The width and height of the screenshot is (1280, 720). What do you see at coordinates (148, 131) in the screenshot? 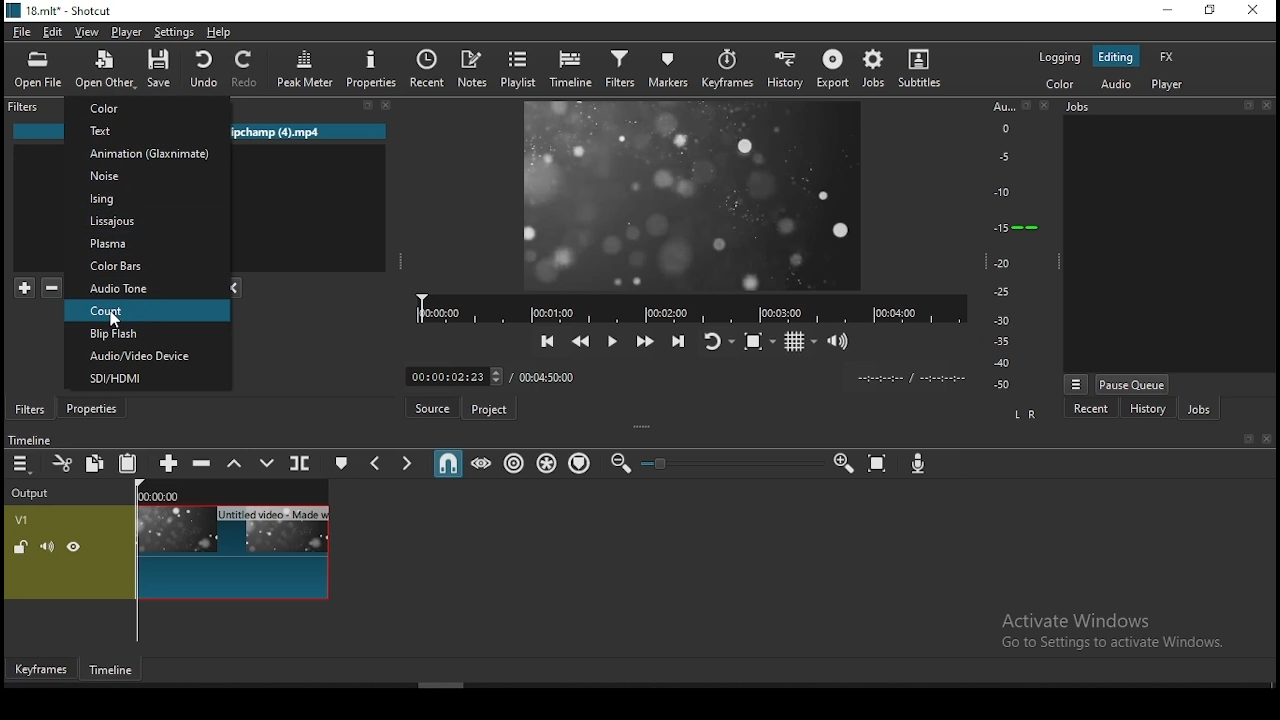
I see `text` at bounding box center [148, 131].